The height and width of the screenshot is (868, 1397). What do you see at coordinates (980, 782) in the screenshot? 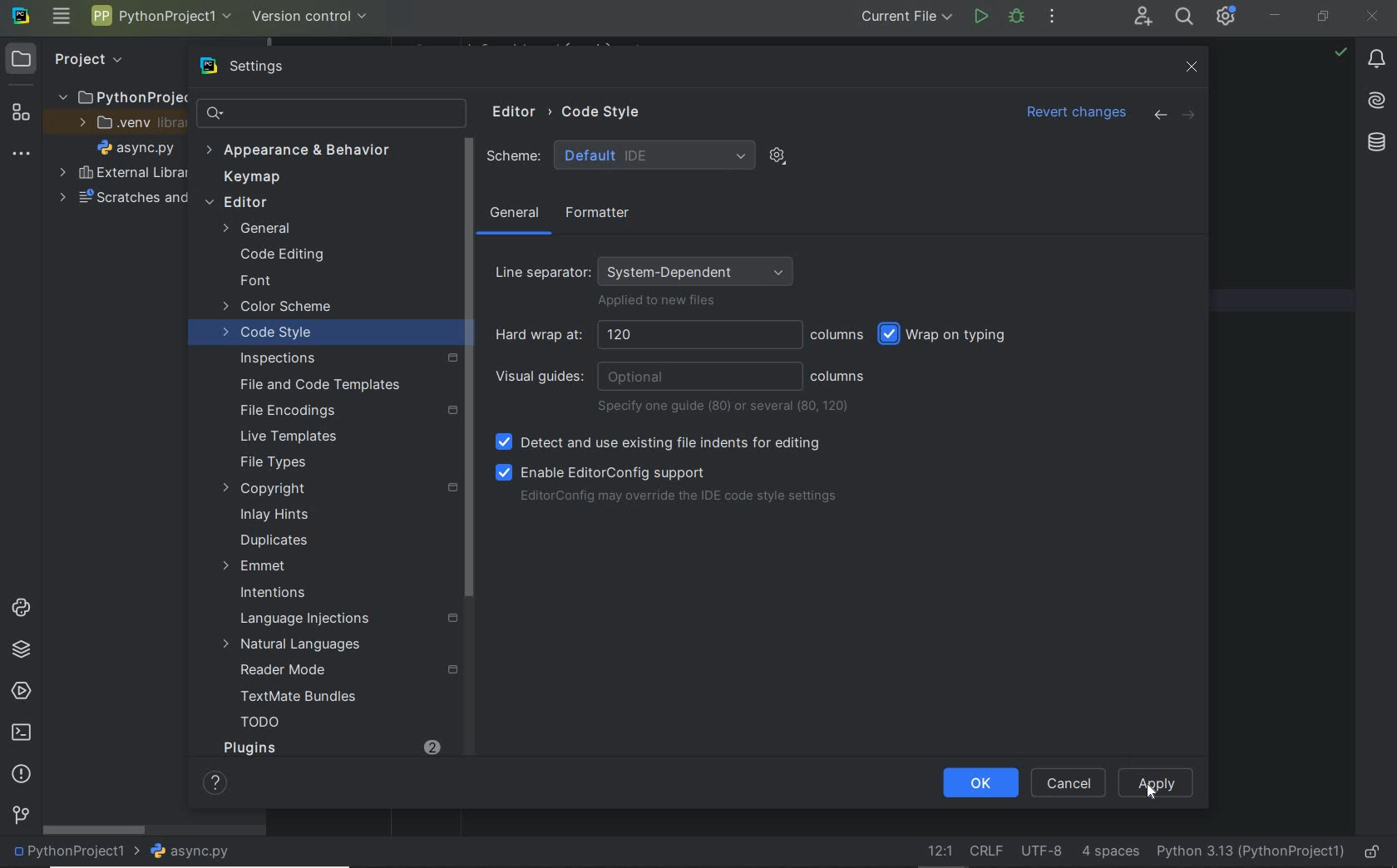
I see `OK` at bounding box center [980, 782].